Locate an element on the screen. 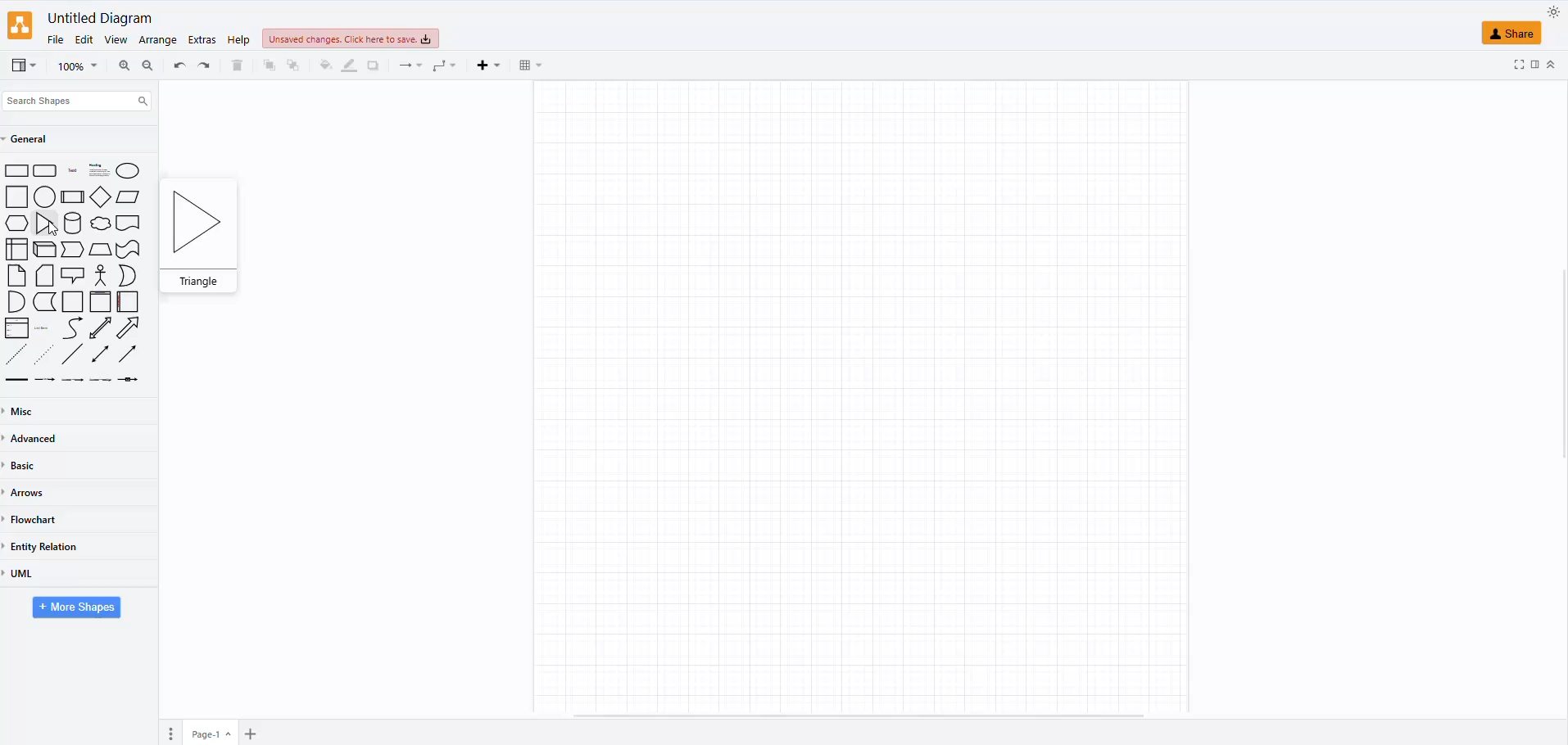 The height and width of the screenshot is (745, 1568). help is located at coordinates (238, 41).